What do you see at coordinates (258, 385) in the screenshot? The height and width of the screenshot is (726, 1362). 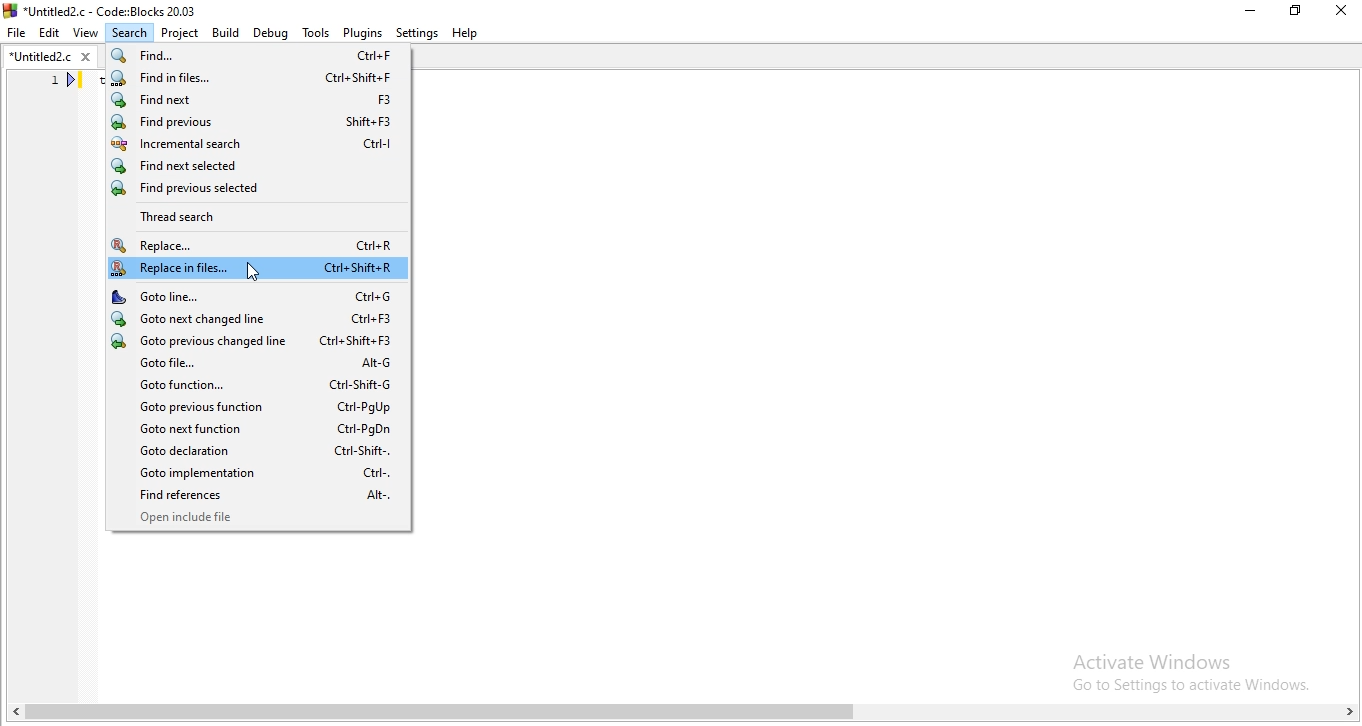 I see `Goto function.` at bounding box center [258, 385].